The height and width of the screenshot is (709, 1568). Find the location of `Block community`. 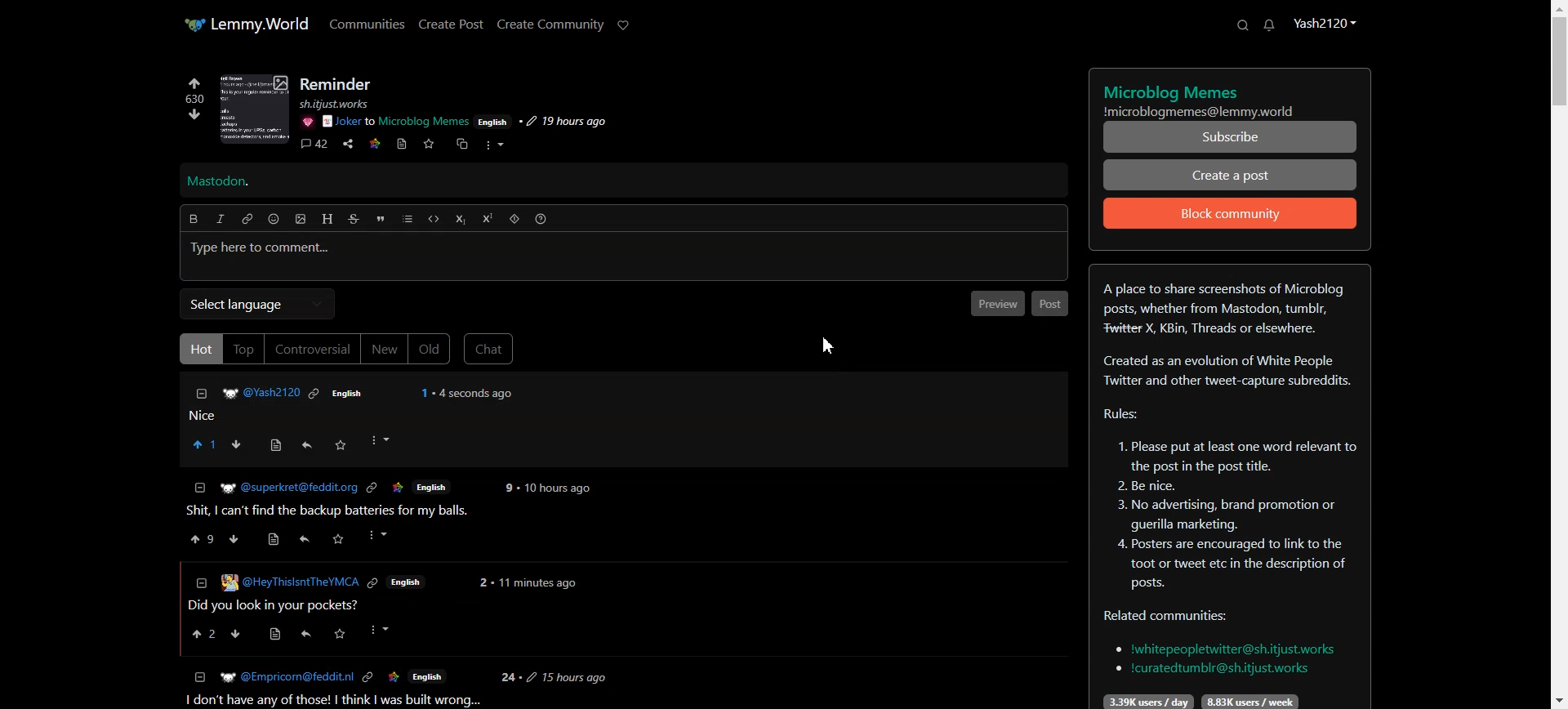

Block community is located at coordinates (1231, 213).